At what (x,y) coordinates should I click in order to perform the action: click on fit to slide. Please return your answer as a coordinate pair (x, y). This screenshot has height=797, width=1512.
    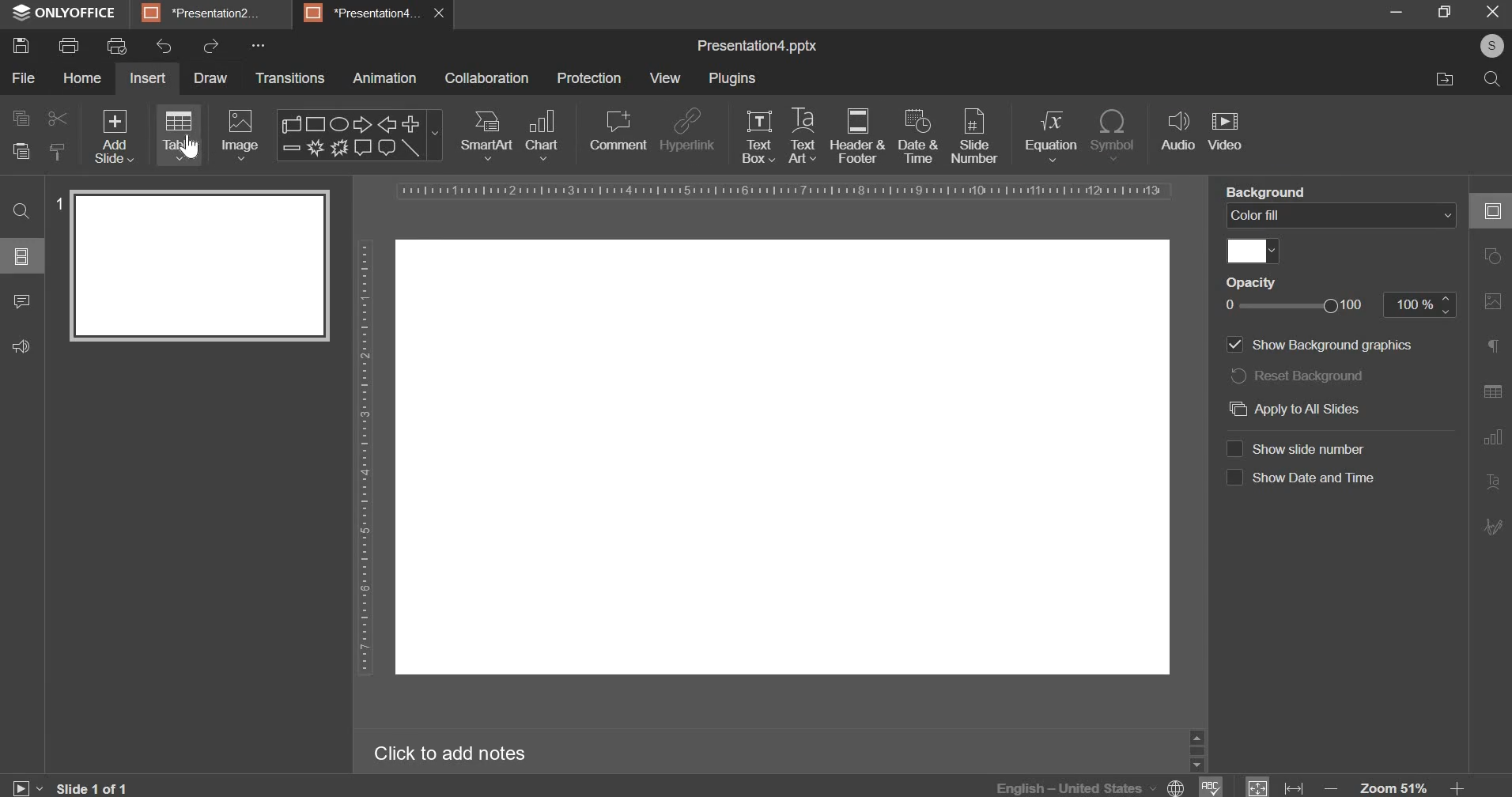
    Looking at the image, I should click on (1258, 788).